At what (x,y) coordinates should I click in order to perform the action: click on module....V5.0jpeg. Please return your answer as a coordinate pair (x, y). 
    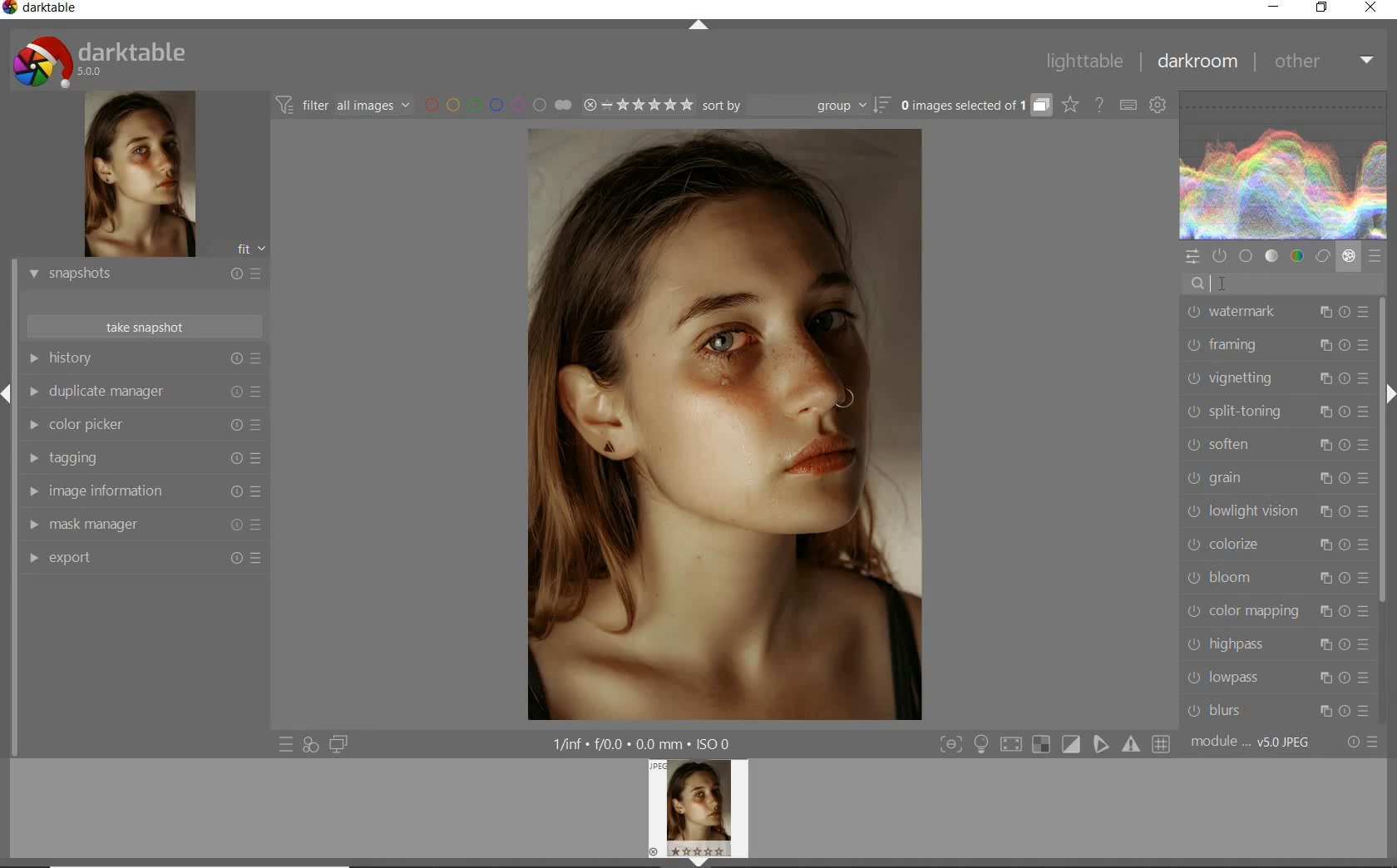
    Looking at the image, I should click on (1261, 744).